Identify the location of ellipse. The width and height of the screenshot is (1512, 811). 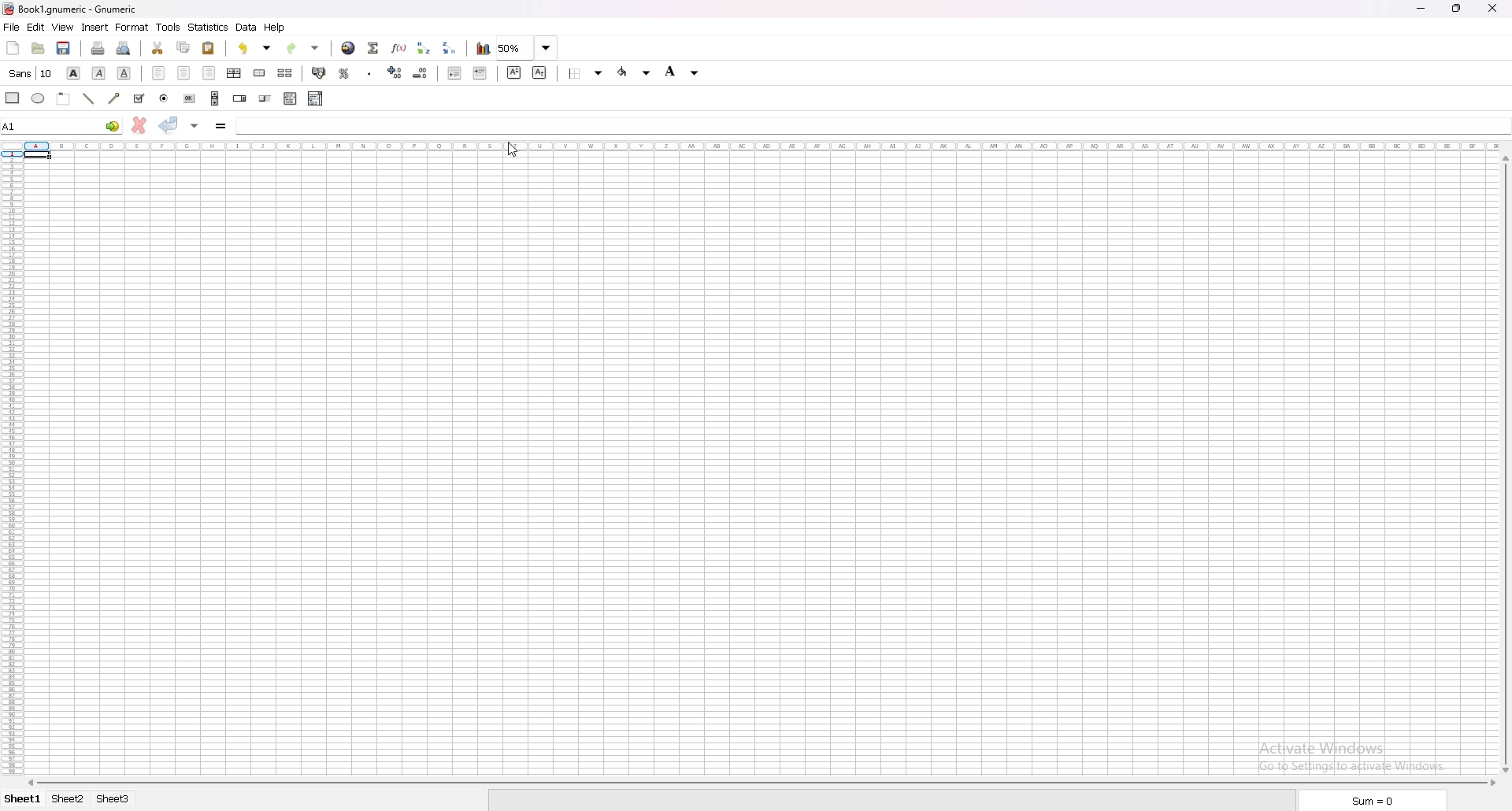
(38, 98).